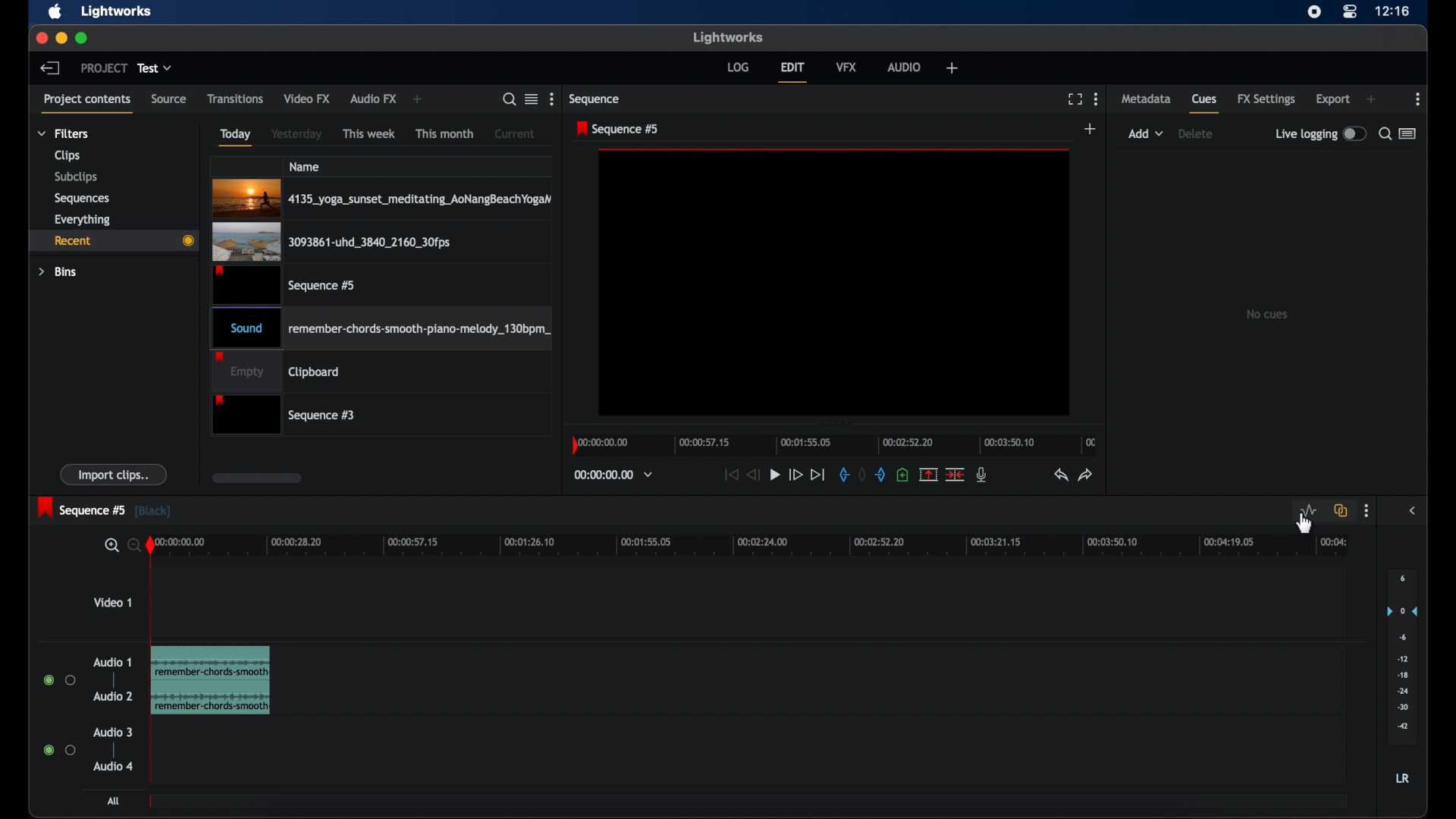  What do you see at coordinates (50, 67) in the screenshot?
I see `back` at bounding box center [50, 67].